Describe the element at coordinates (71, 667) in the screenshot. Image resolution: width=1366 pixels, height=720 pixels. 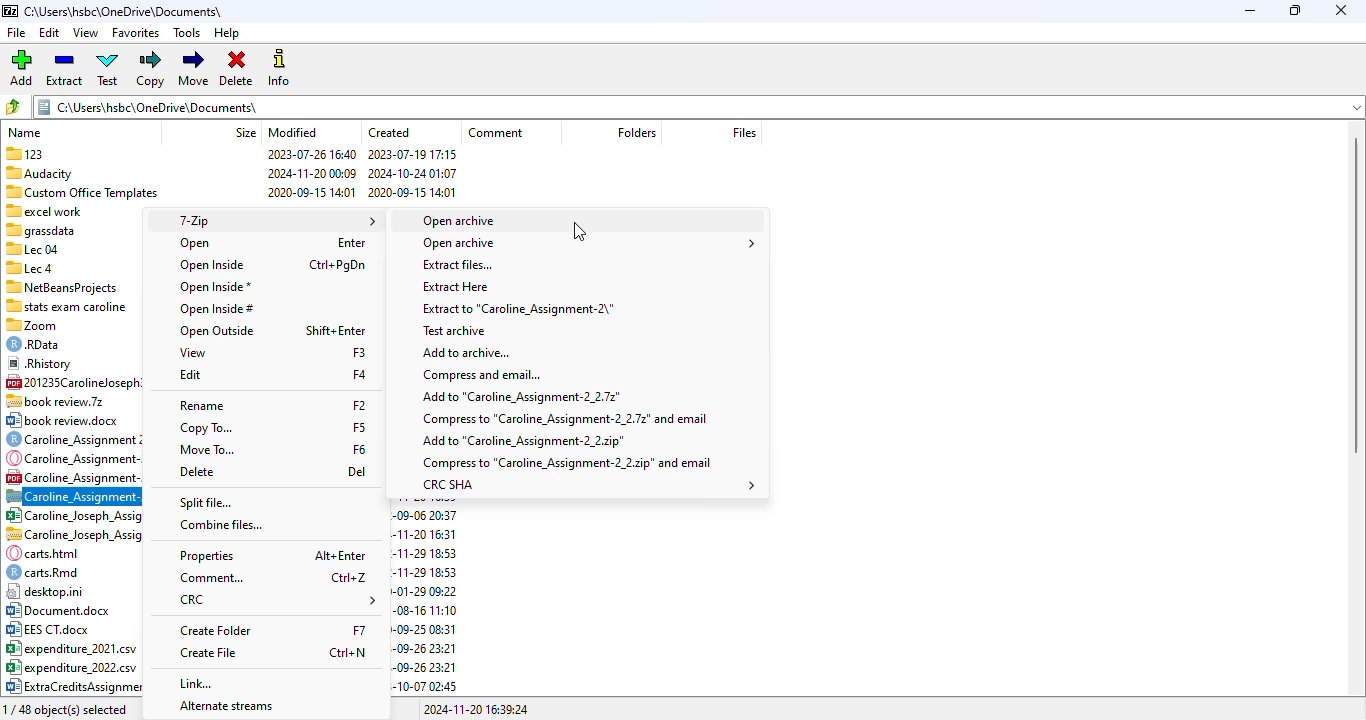
I see `8° expenditure_2022.csv 504 2023-10-06 15:41 2023-09-26 23:21` at that location.